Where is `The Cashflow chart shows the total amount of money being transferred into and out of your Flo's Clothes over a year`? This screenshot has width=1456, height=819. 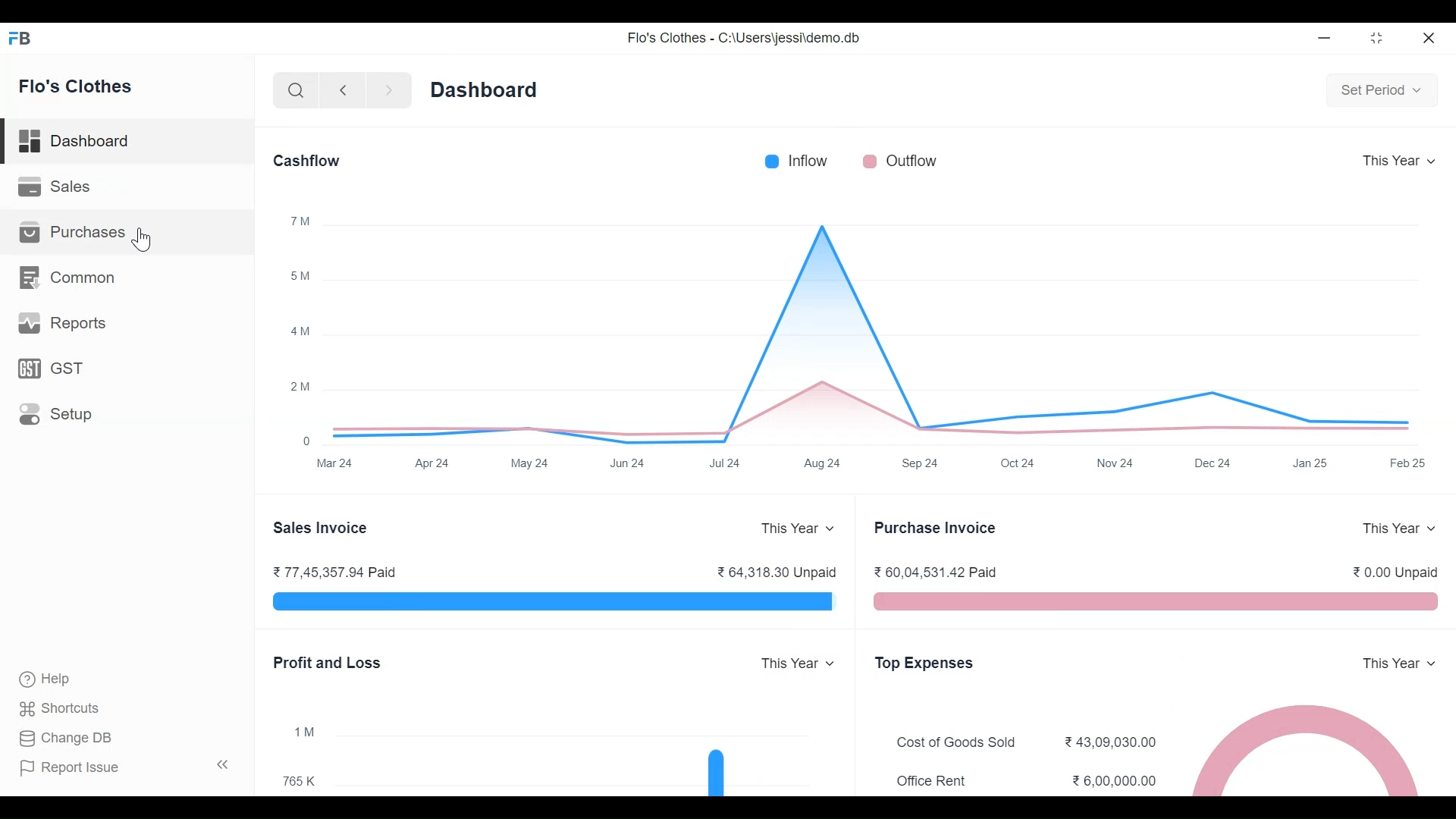
The Cashflow chart shows the total amount of money being transferred into and out of your Flo's Clothes over a year is located at coordinates (872, 331).